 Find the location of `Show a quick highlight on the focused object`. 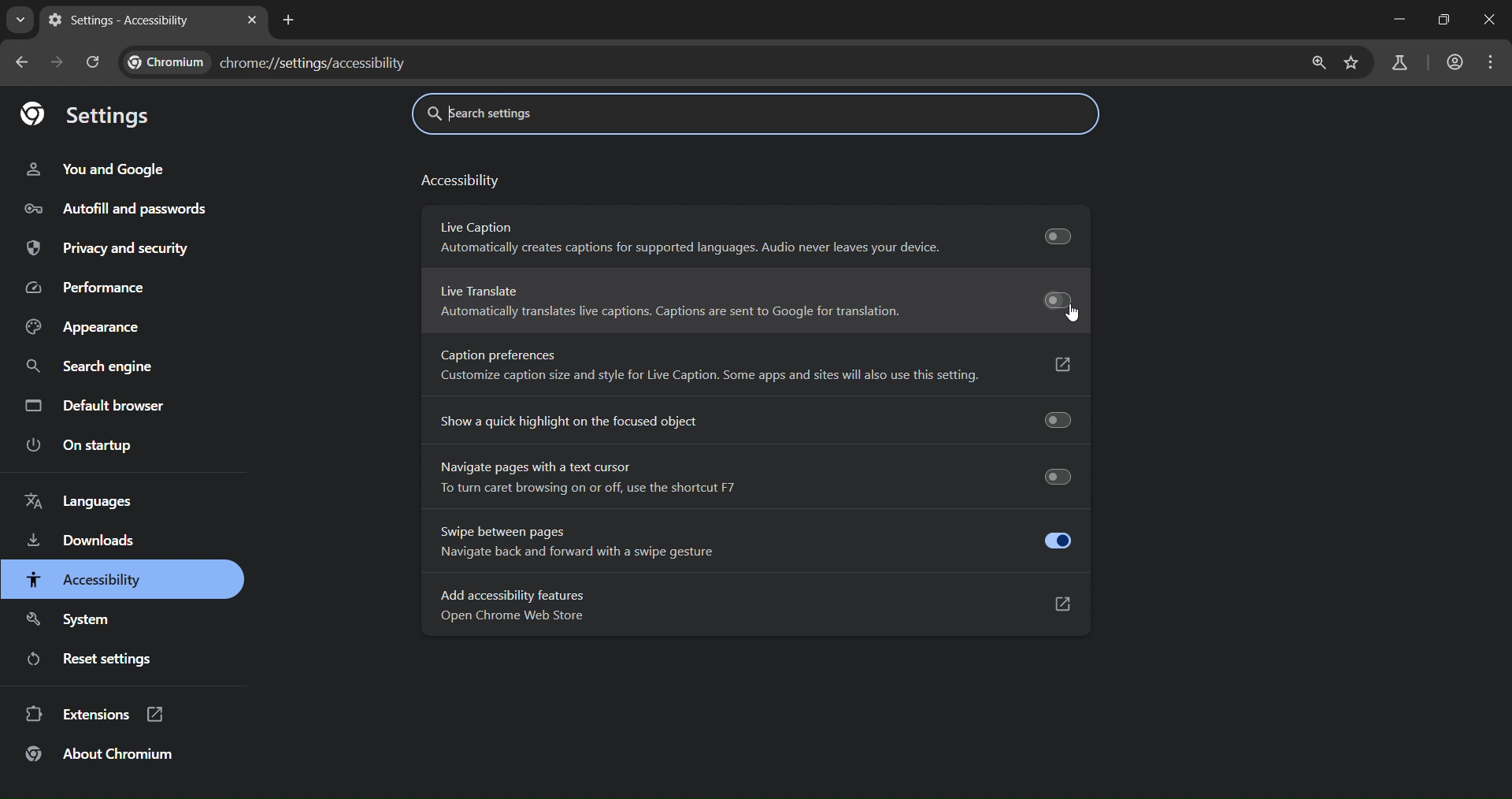

Show a quick highlight on the focused object is located at coordinates (564, 421).